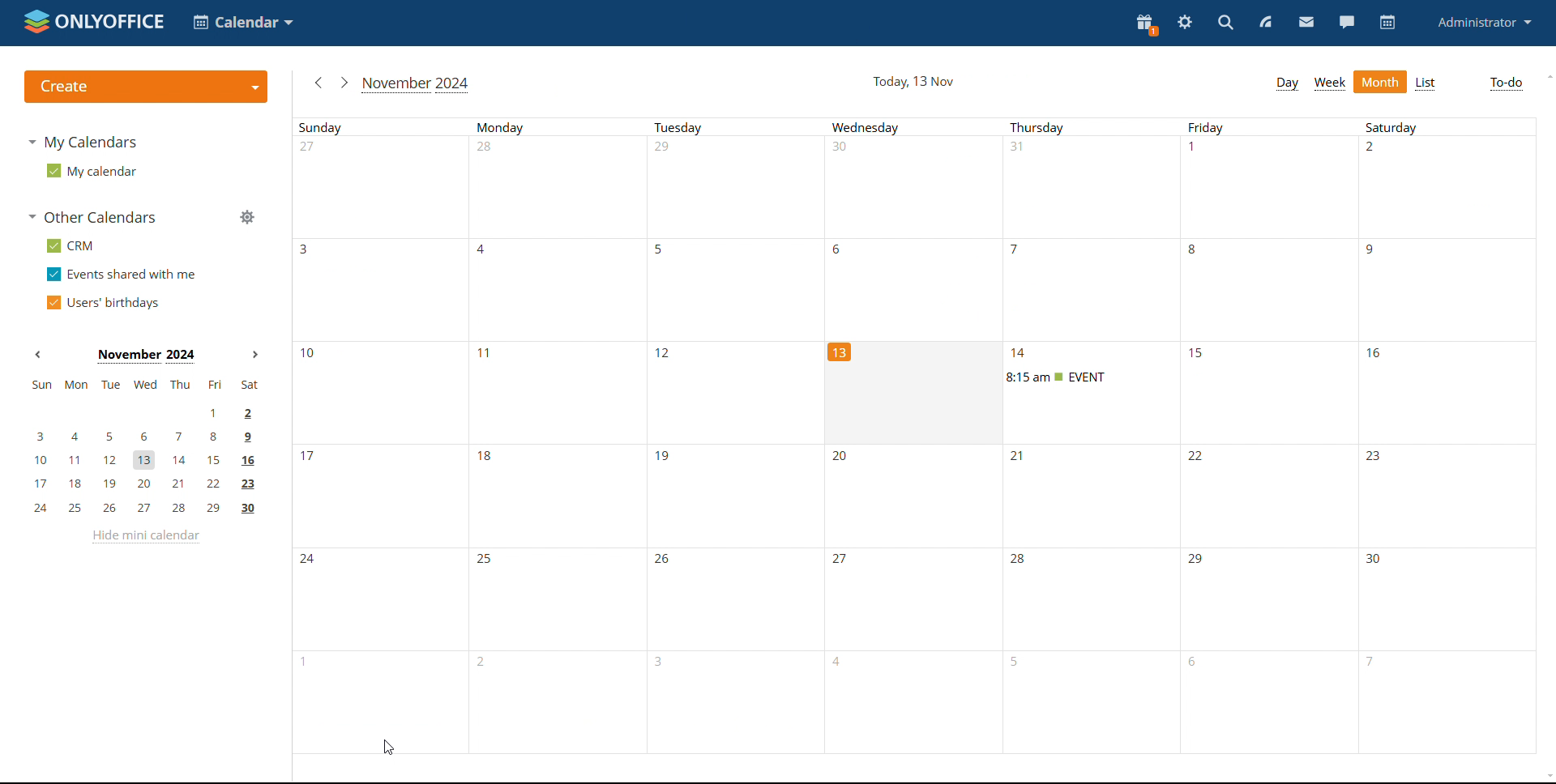 Image resolution: width=1556 pixels, height=784 pixels. Describe the element at coordinates (1286, 83) in the screenshot. I see `day view` at that location.